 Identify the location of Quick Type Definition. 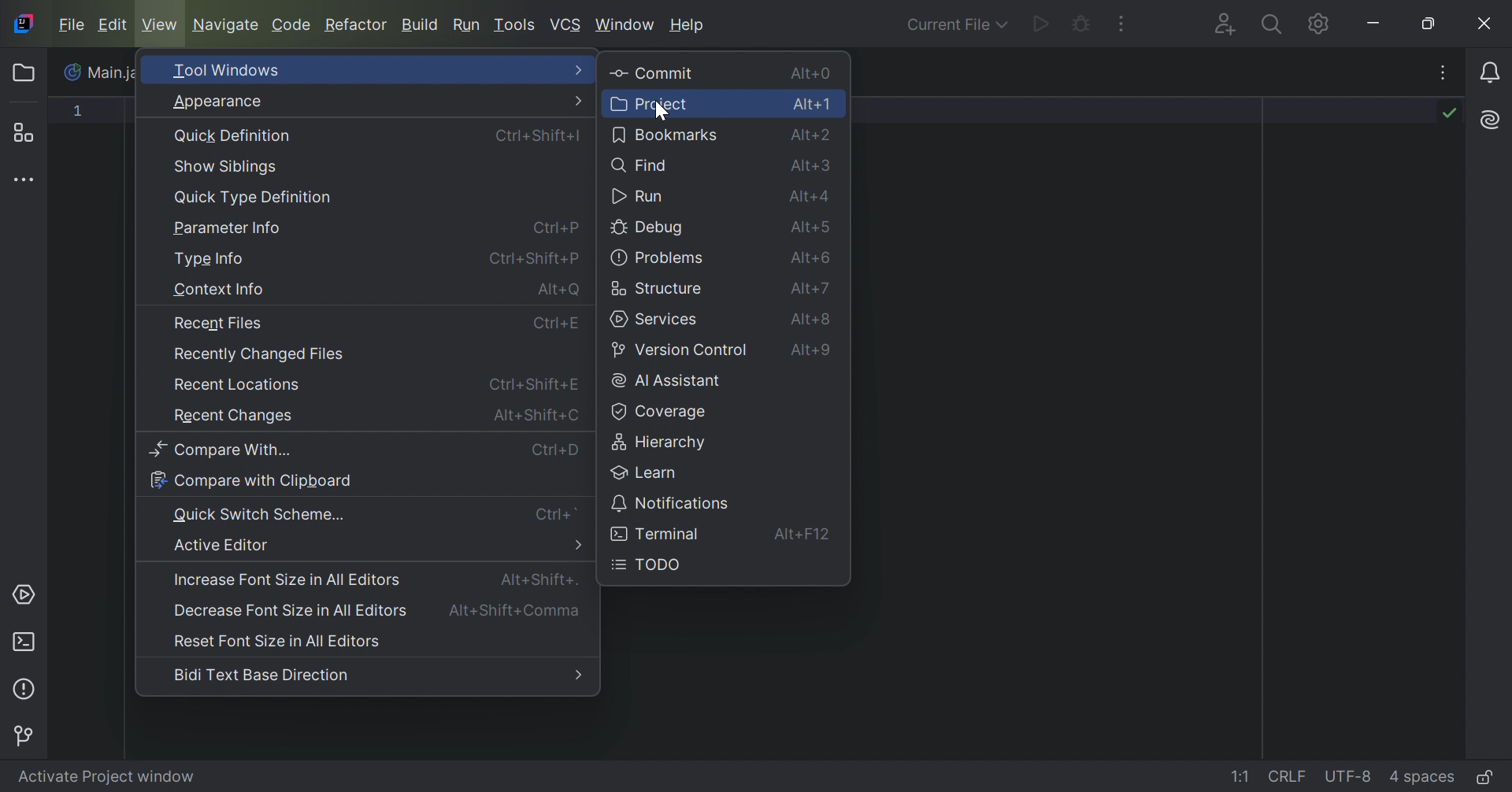
(253, 198).